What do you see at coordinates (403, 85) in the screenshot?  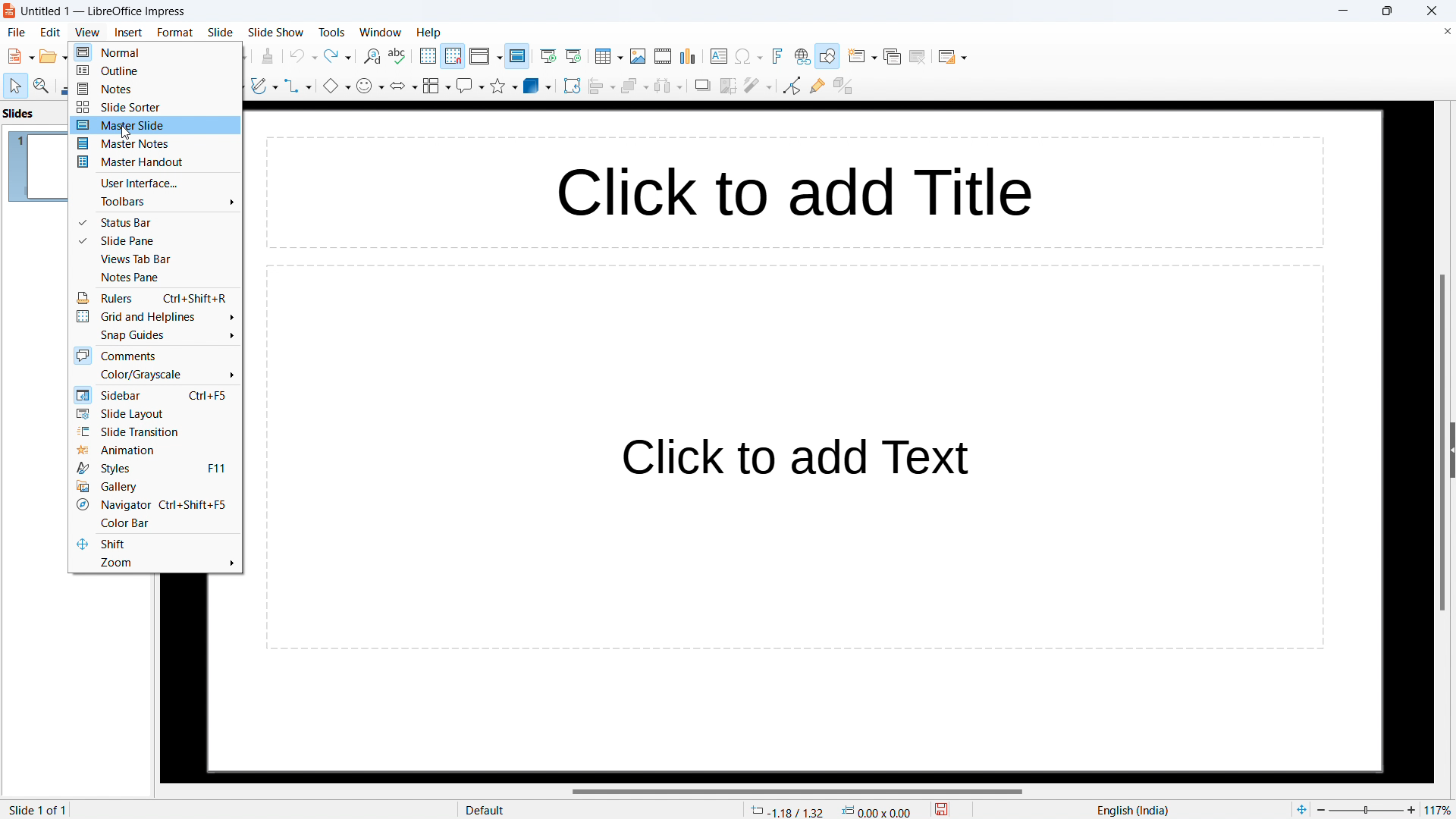 I see `block arrows` at bounding box center [403, 85].